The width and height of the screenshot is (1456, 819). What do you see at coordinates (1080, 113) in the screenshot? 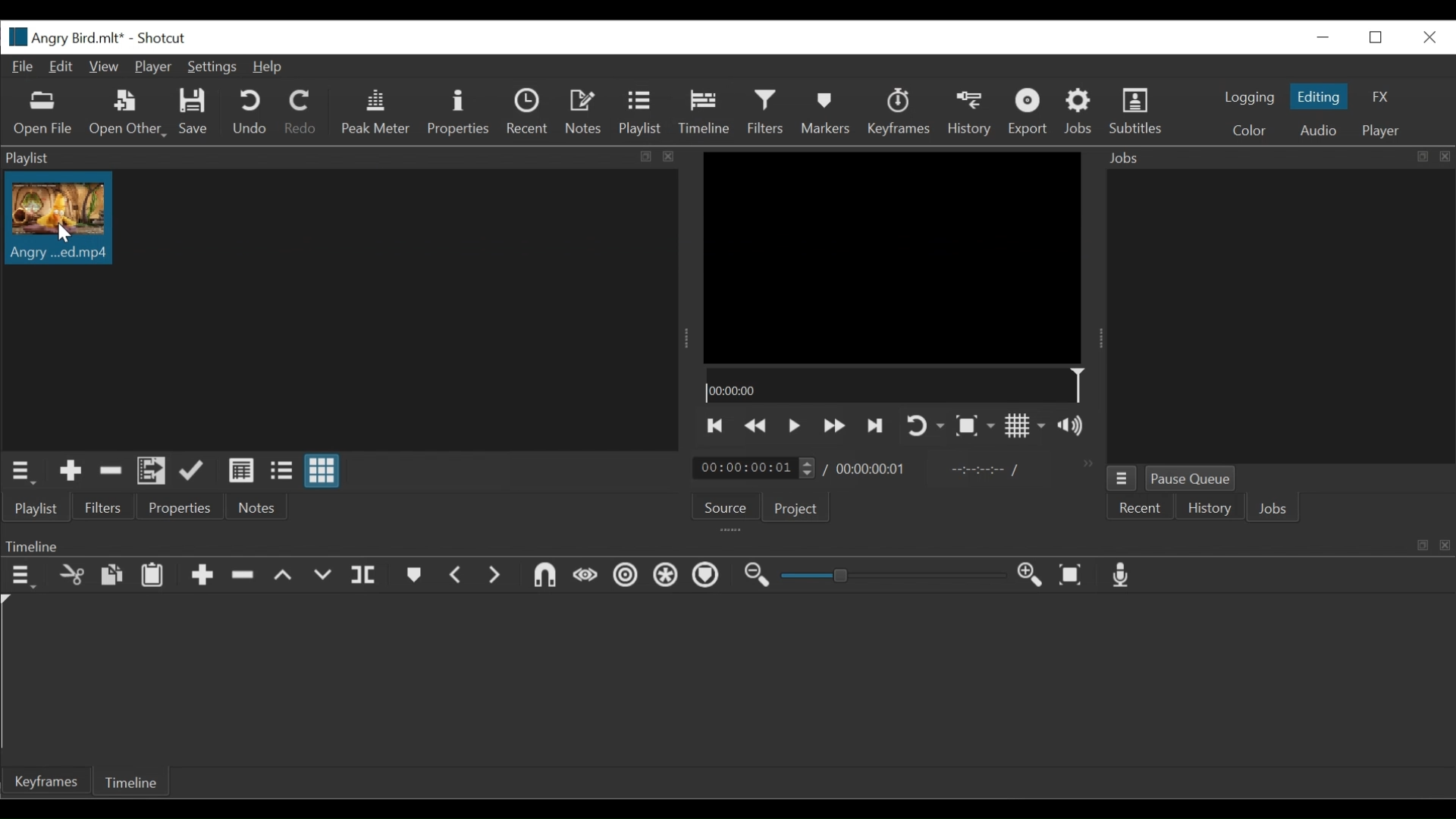
I see `Jobs` at bounding box center [1080, 113].